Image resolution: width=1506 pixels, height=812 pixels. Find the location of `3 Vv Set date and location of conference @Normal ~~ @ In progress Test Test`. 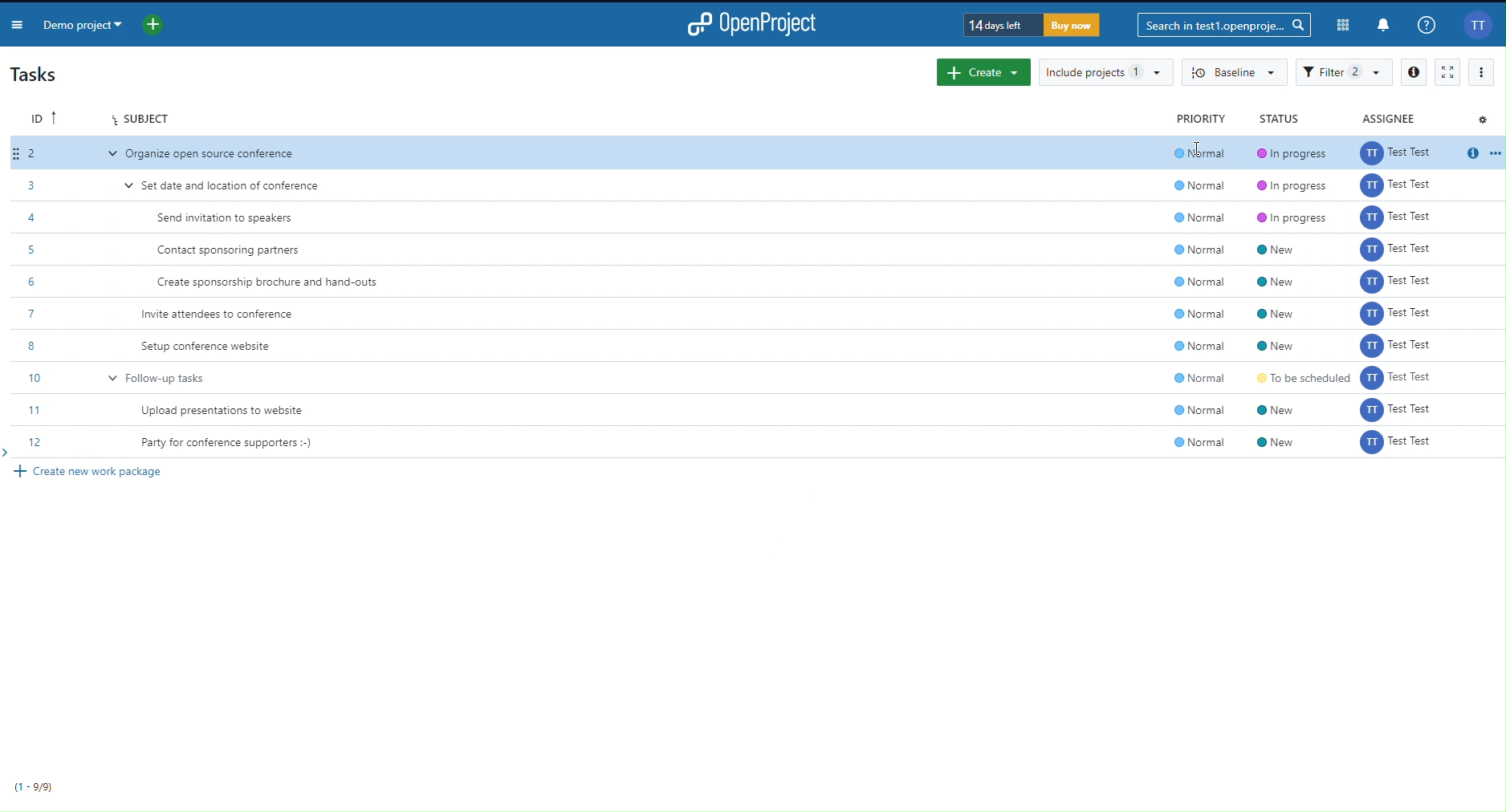

3 Vv Set date and location of conference @Normal ~~ @ In progress Test Test is located at coordinates (753, 185).